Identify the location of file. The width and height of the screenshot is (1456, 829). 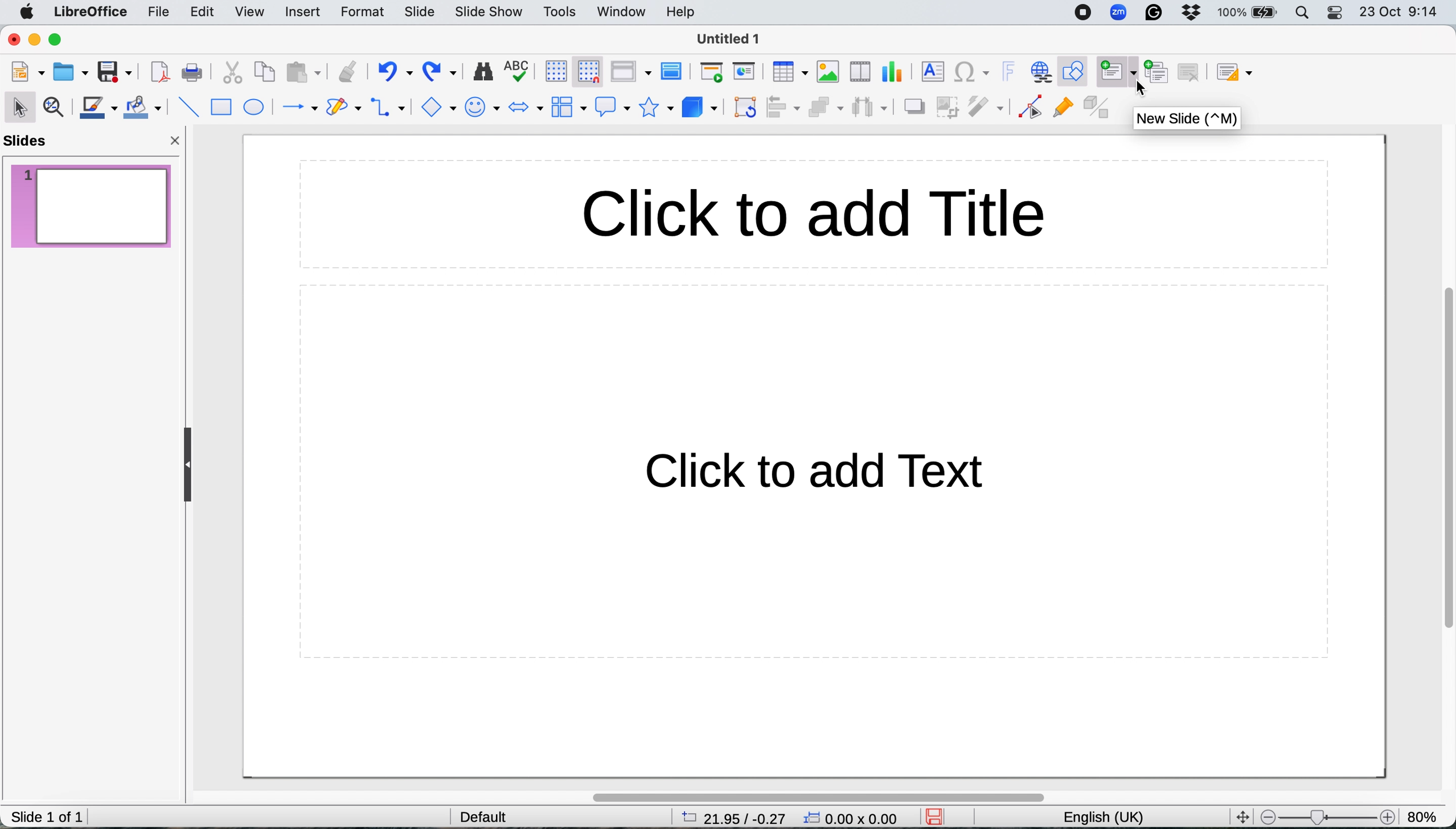
(156, 13).